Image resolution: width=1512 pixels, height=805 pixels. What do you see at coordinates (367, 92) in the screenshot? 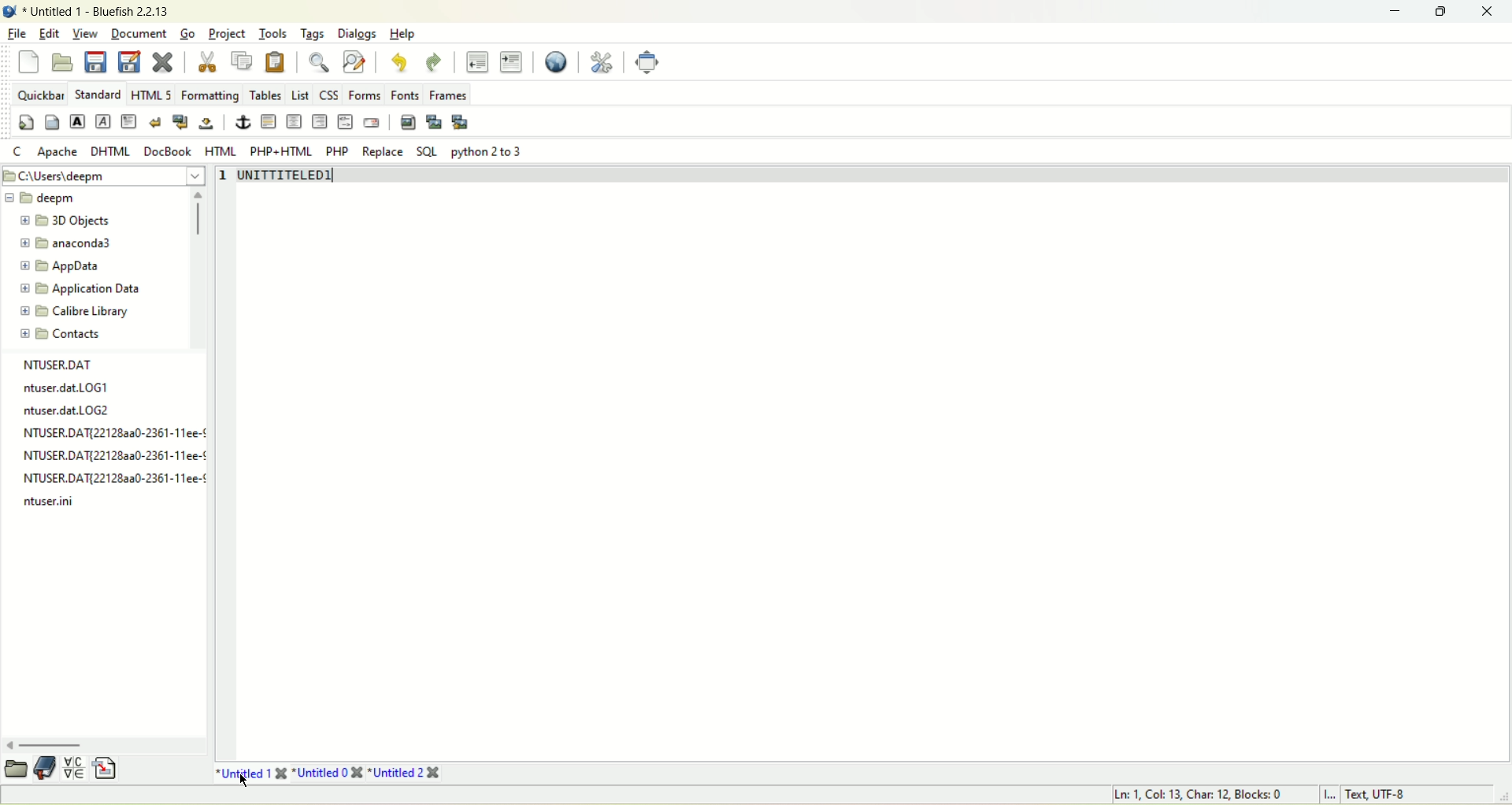
I see `Forms ` at bounding box center [367, 92].